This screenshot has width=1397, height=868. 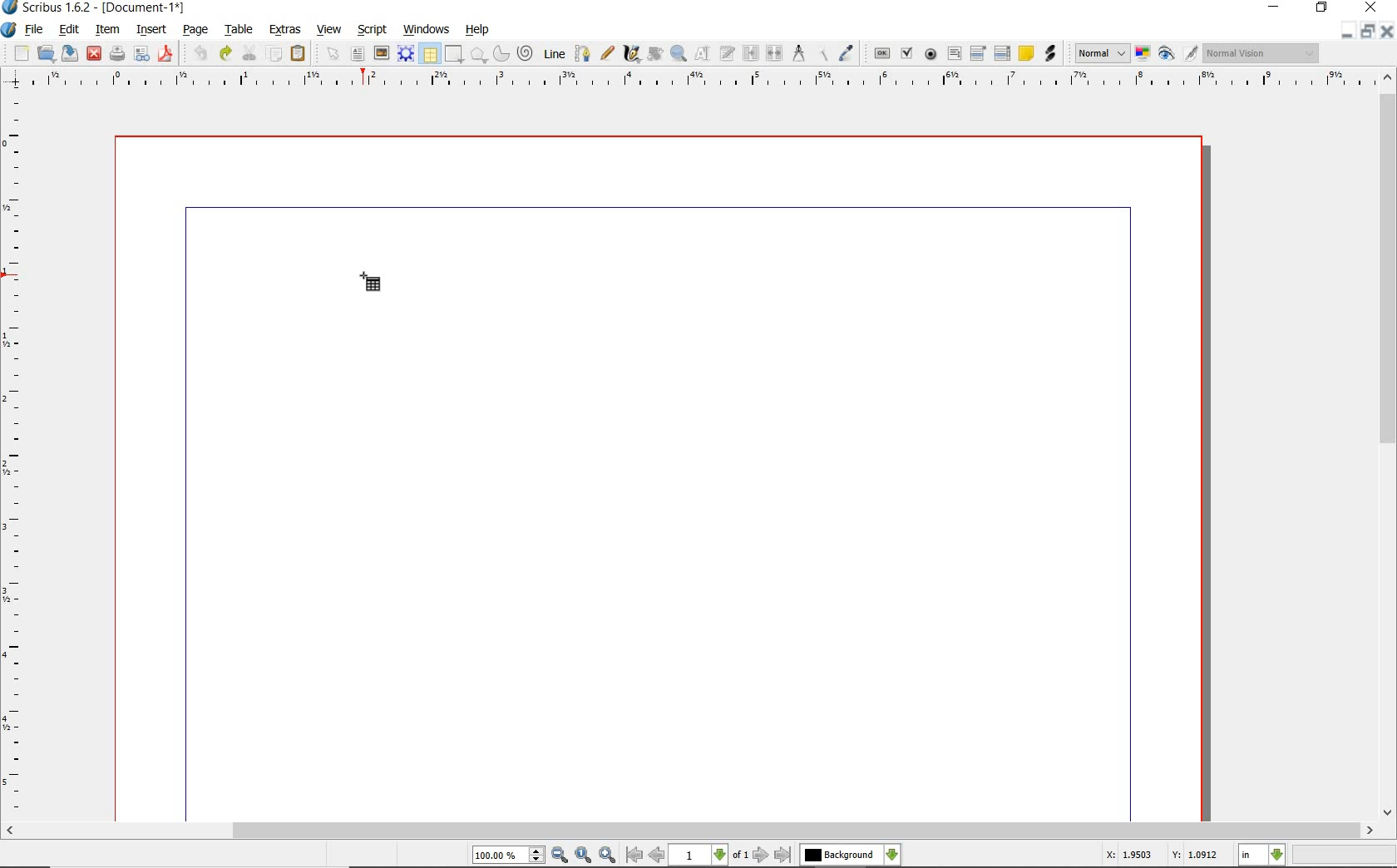 I want to click on file, so click(x=35, y=31).